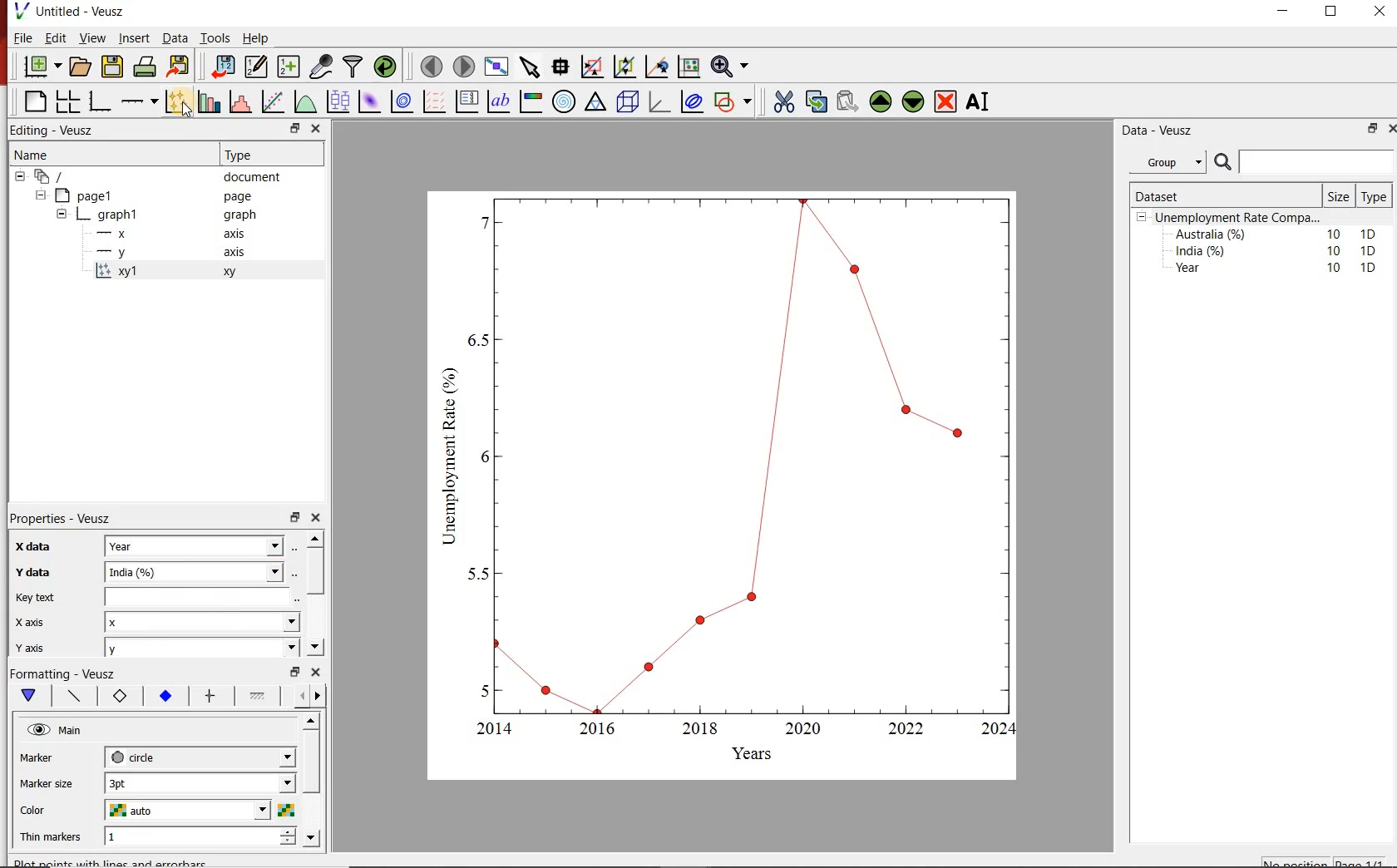 The image size is (1397, 868). What do you see at coordinates (317, 672) in the screenshot?
I see `close` at bounding box center [317, 672].